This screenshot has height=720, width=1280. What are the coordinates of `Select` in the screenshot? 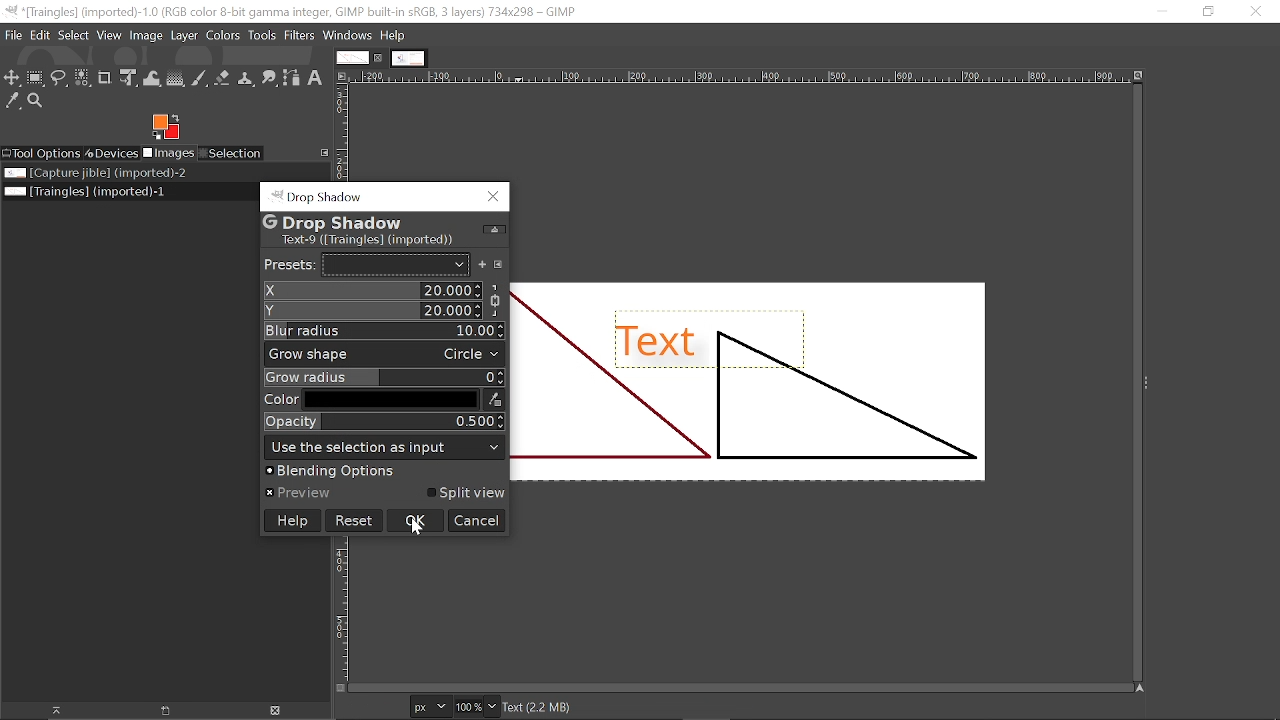 It's located at (73, 36).